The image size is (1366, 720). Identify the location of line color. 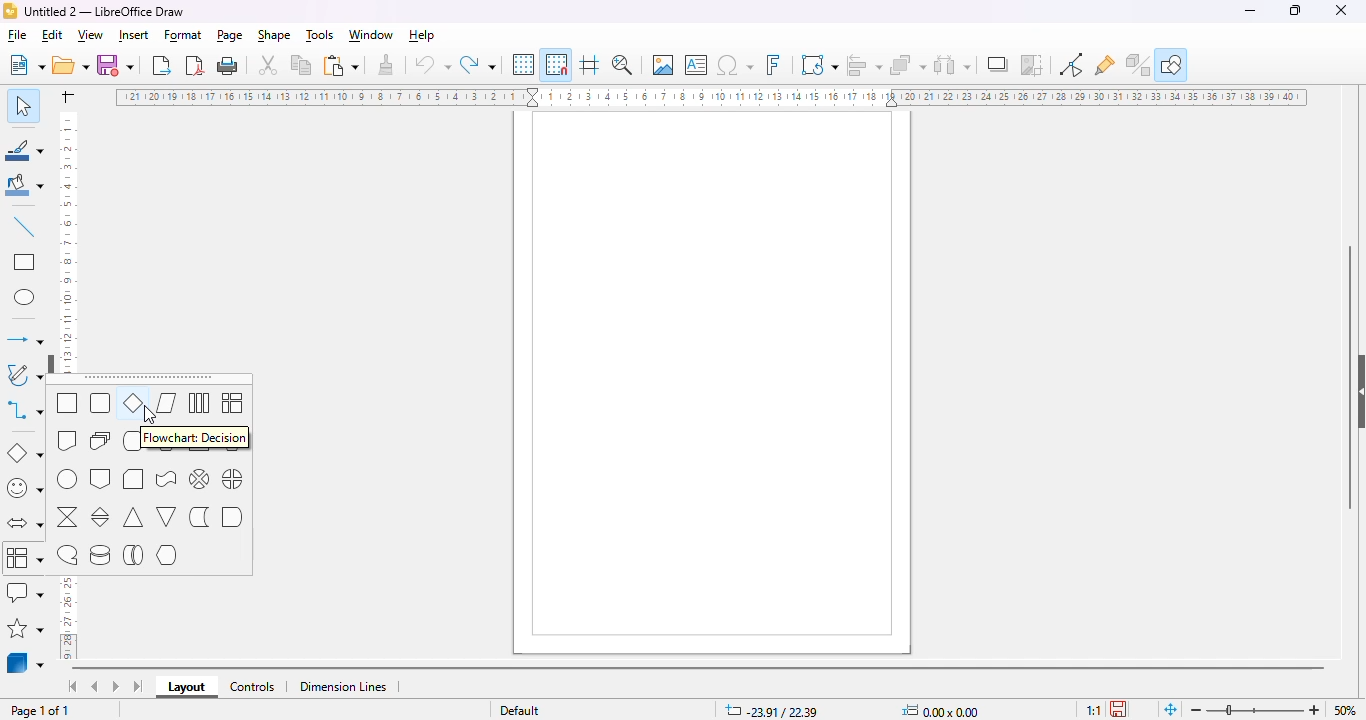
(24, 149).